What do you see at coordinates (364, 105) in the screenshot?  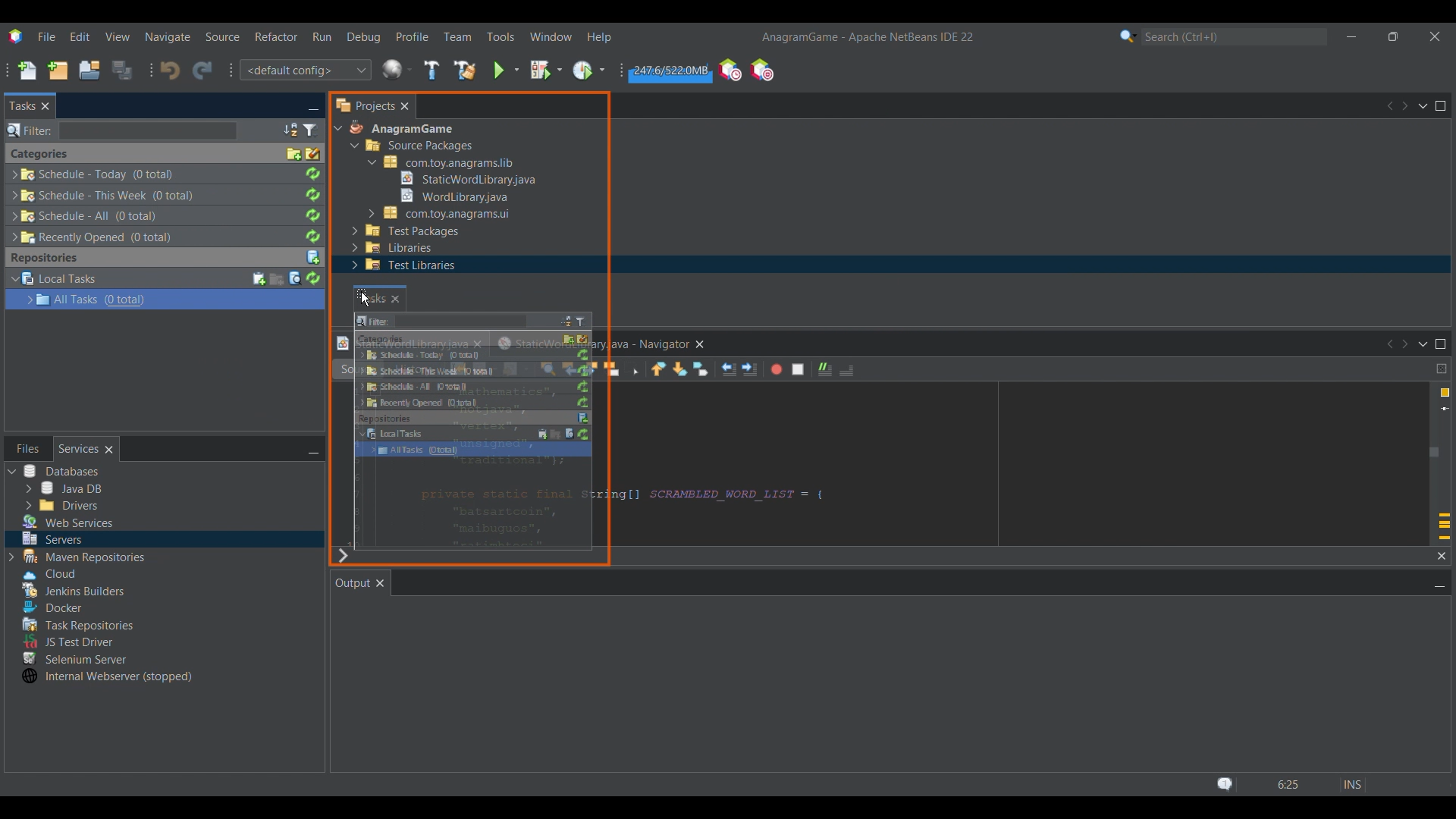 I see `Projects tab` at bounding box center [364, 105].